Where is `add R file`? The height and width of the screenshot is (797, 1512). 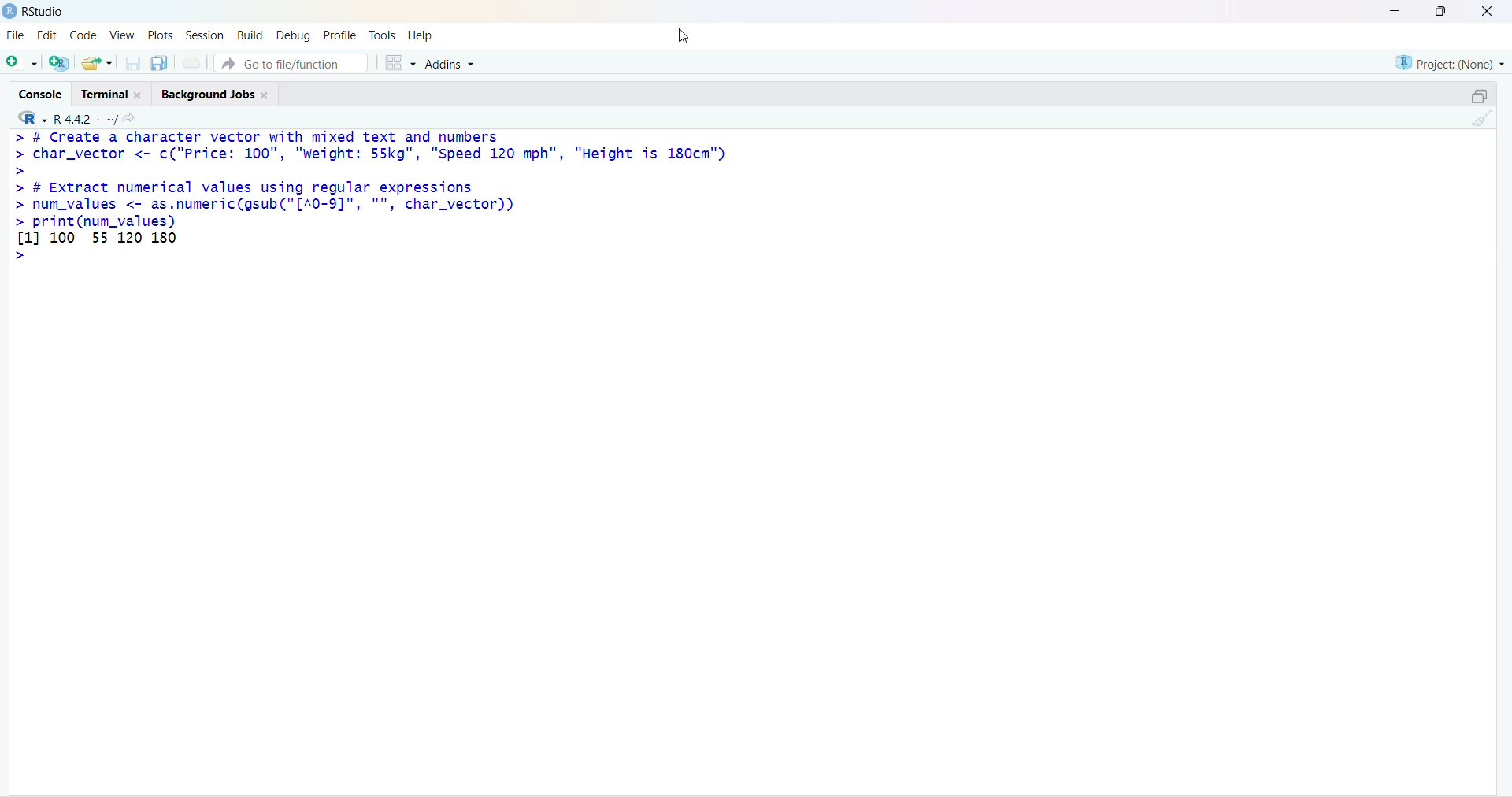
add R file is located at coordinates (59, 63).